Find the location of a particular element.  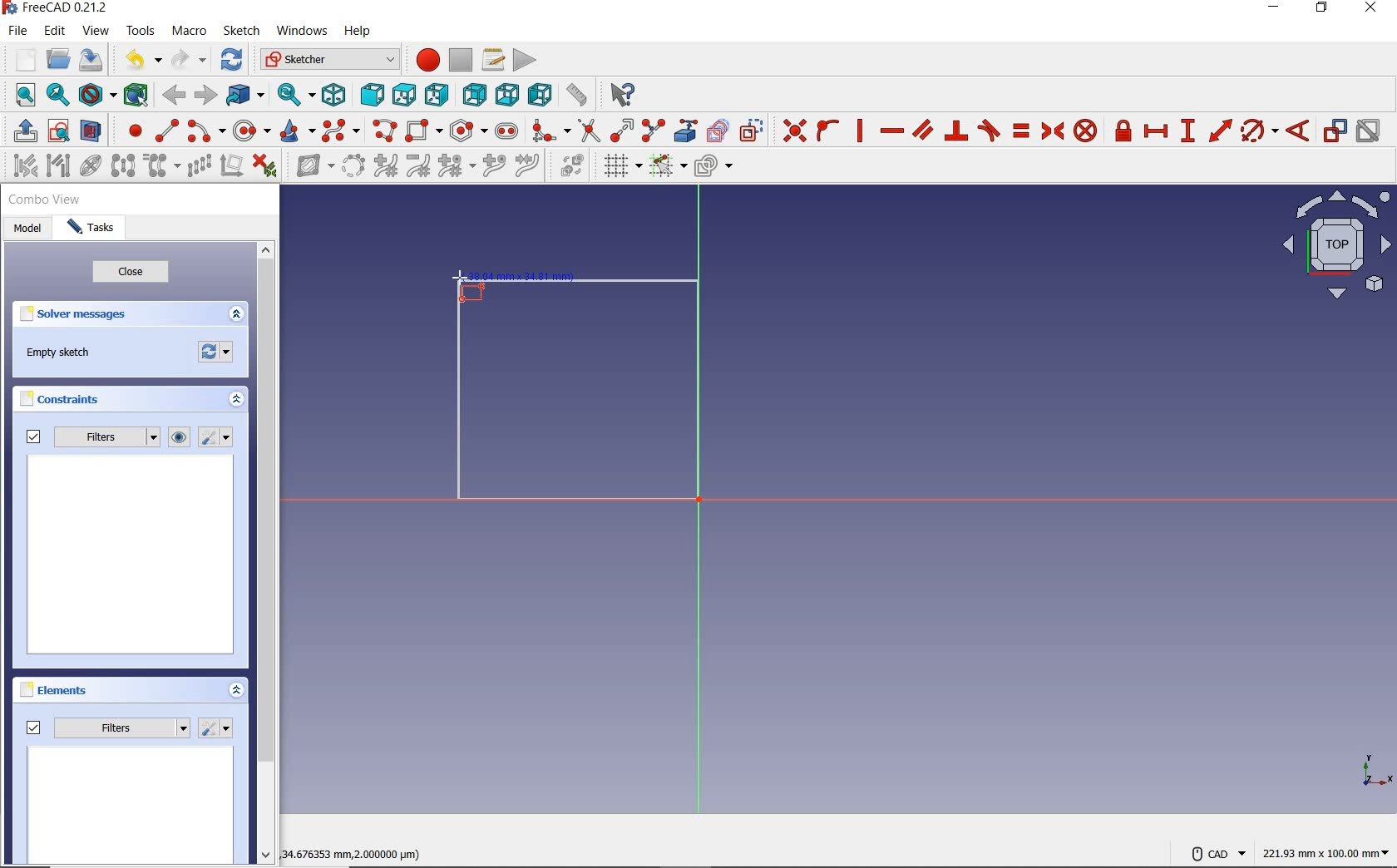

create point is located at coordinates (129, 131).